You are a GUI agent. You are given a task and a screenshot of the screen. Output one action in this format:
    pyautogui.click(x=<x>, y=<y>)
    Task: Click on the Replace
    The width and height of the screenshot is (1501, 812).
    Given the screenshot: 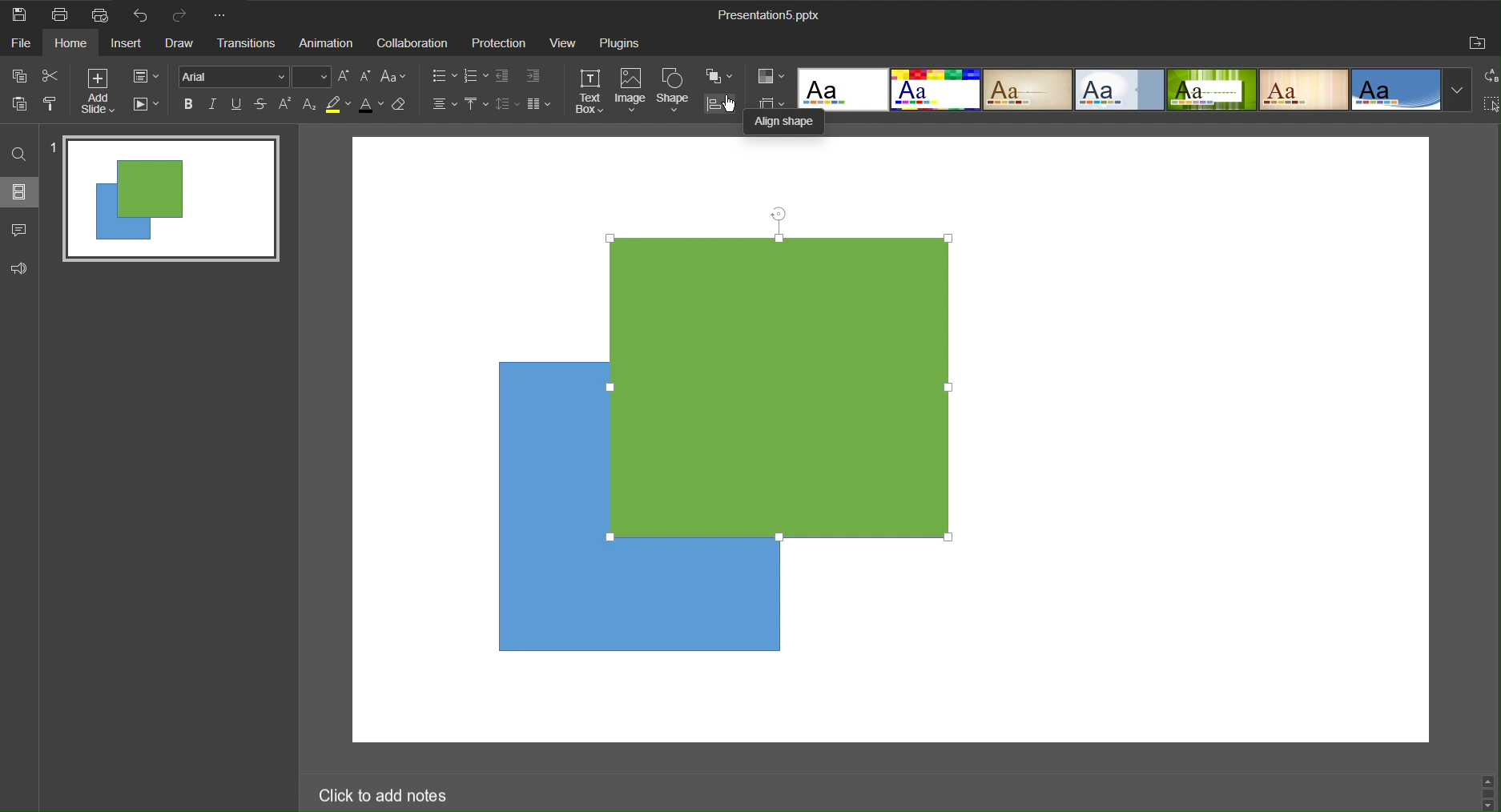 What is the action you would take?
    pyautogui.click(x=1491, y=76)
    